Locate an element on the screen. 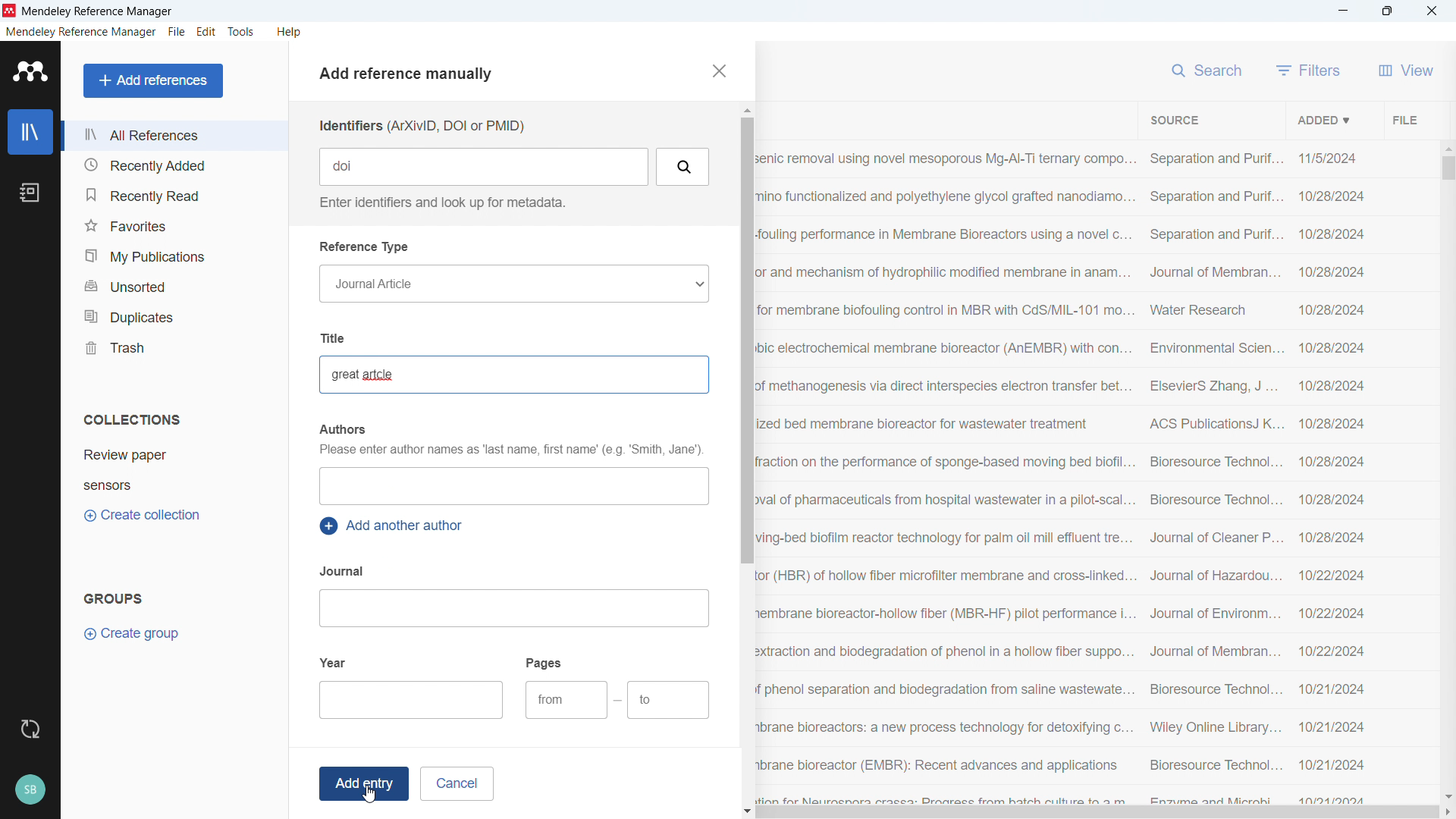  Add entry  is located at coordinates (361, 784).